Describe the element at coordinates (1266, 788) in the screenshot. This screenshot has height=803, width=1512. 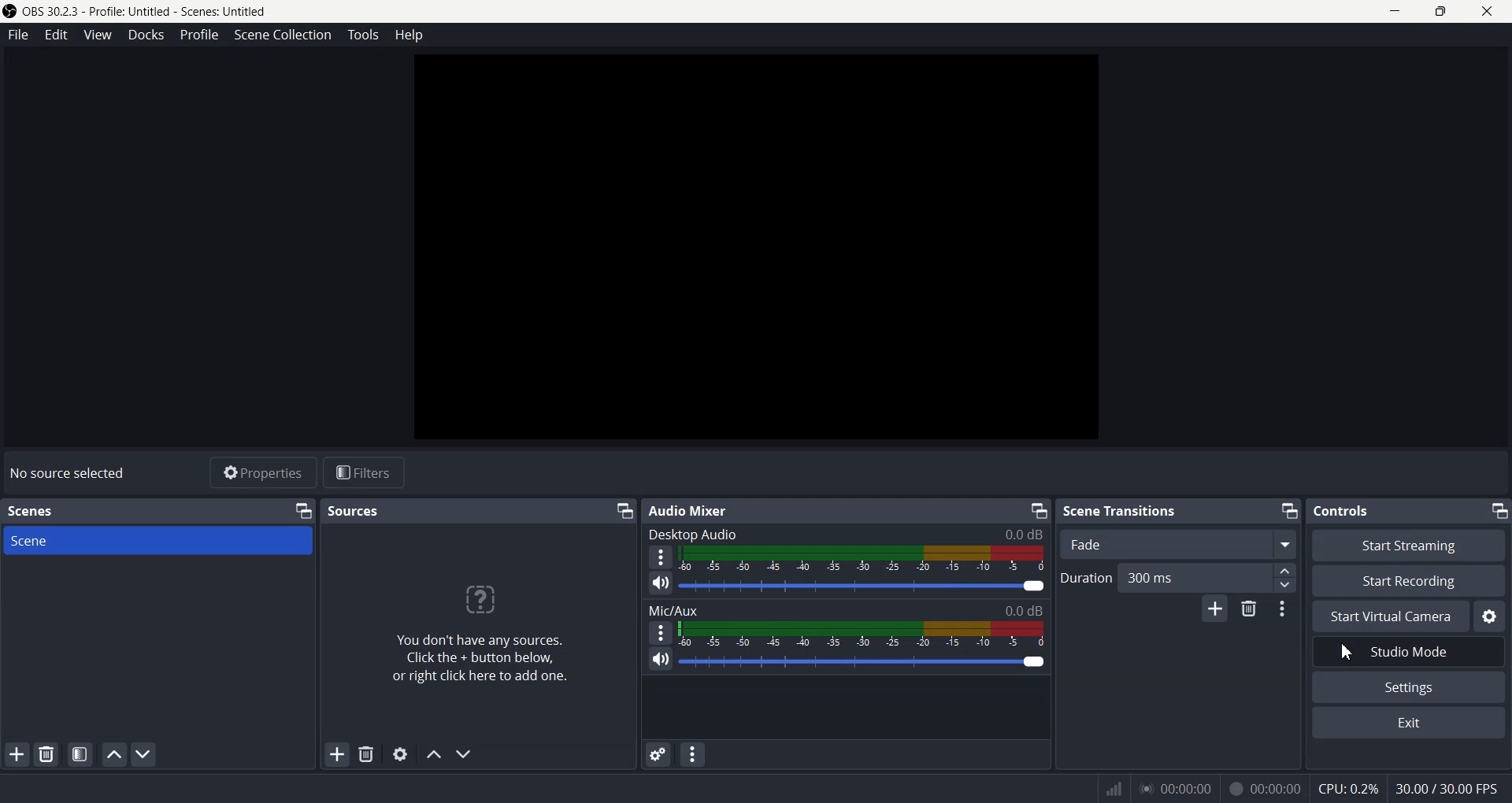
I see `00.00.00` at that location.